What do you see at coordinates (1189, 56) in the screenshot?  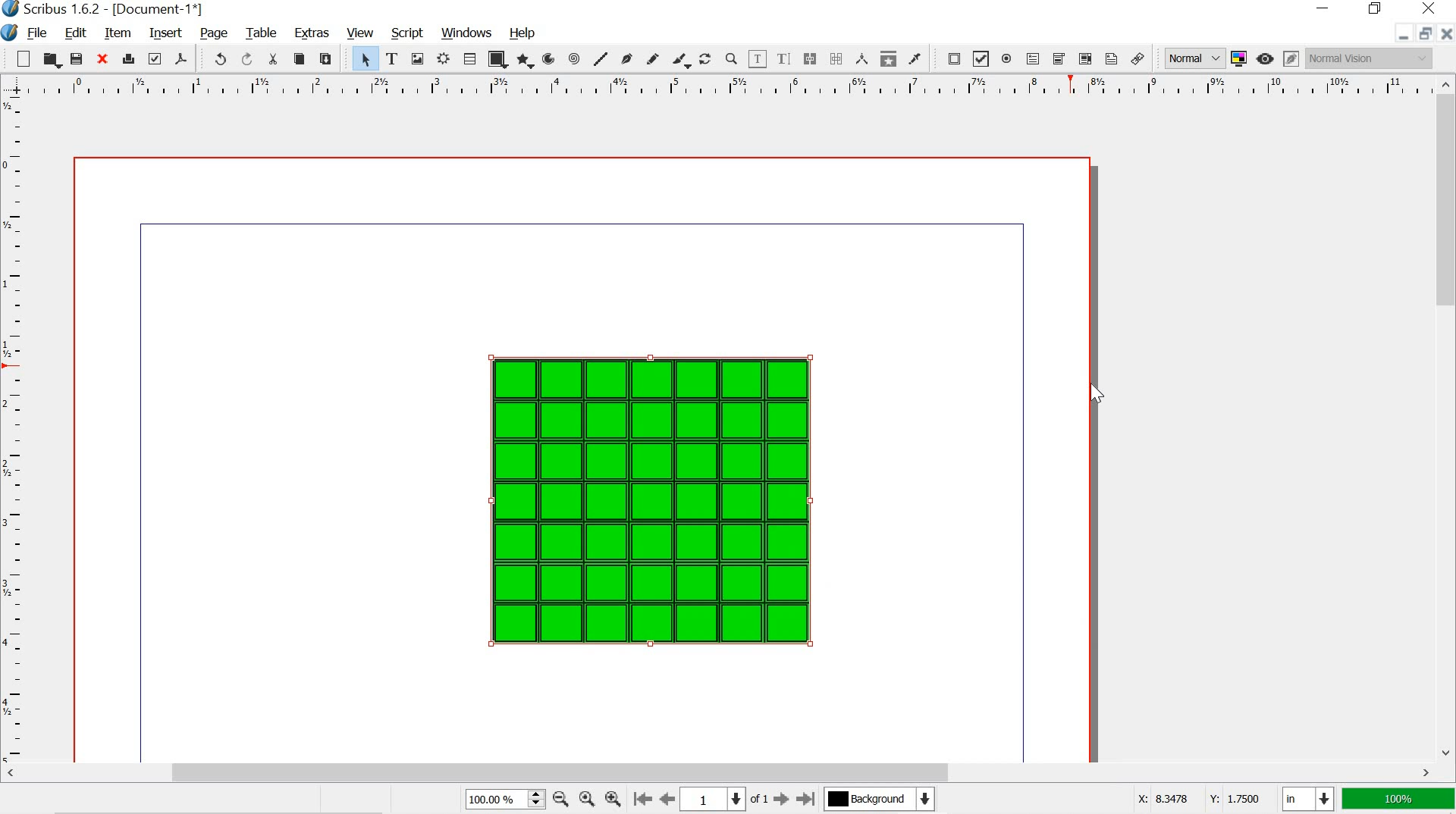 I see `normal` at bounding box center [1189, 56].